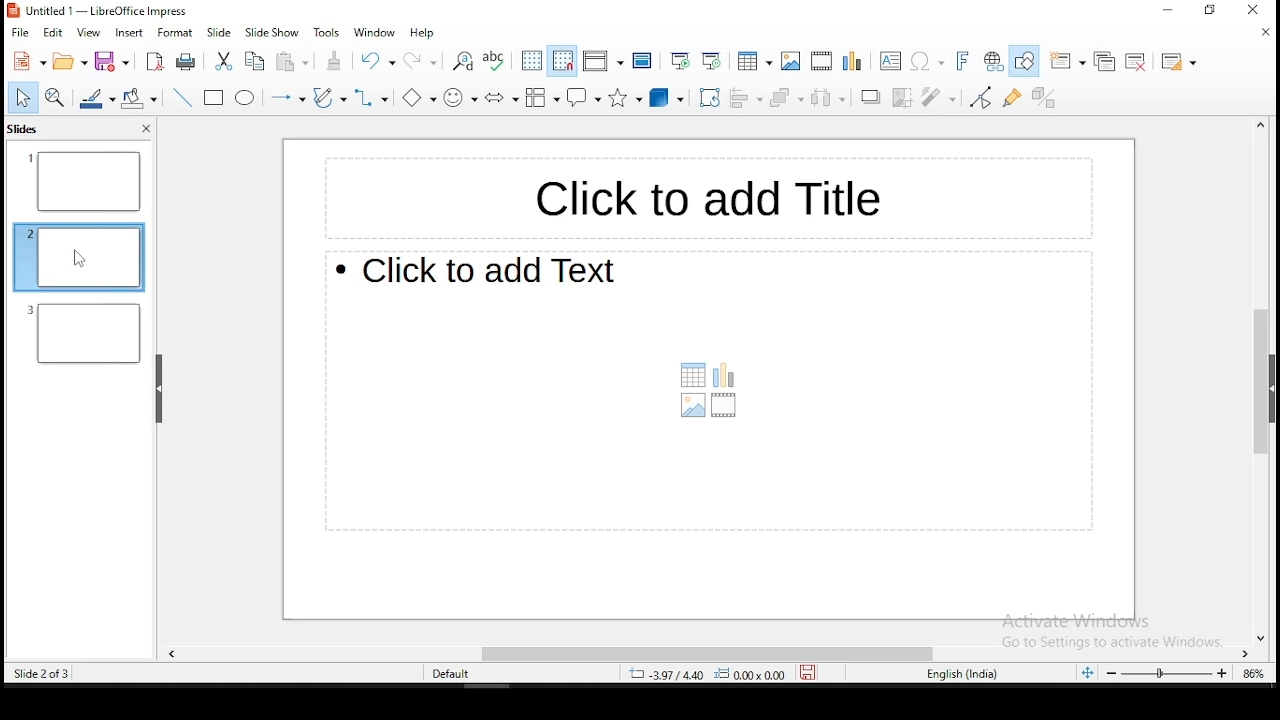 The width and height of the screenshot is (1280, 720). What do you see at coordinates (40, 674) in the screenshot?
I see `slide 2 of 3` at bounding box center [40, 674].